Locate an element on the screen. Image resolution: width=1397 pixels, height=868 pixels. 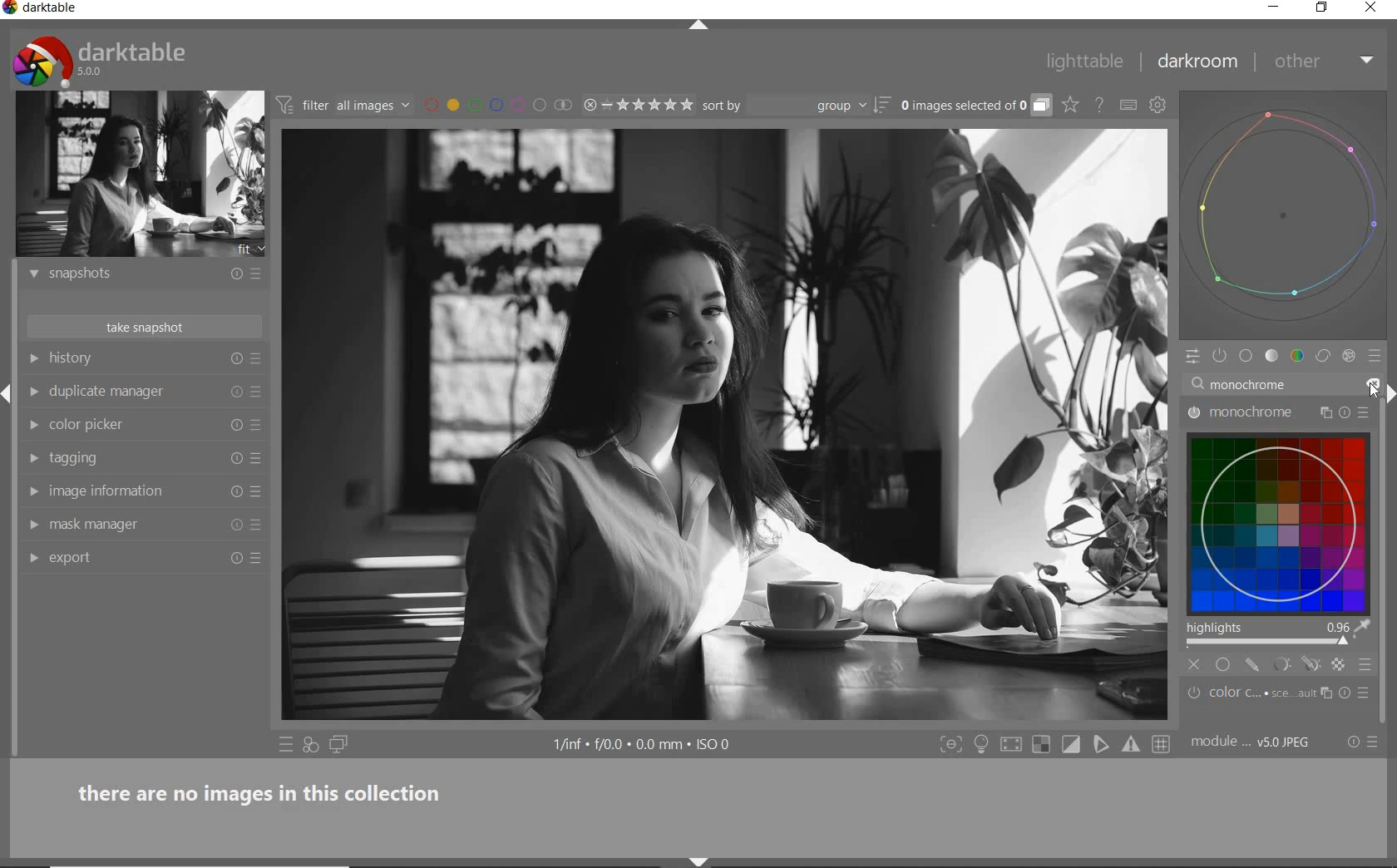
selected image is located at coordinates (723, 426).